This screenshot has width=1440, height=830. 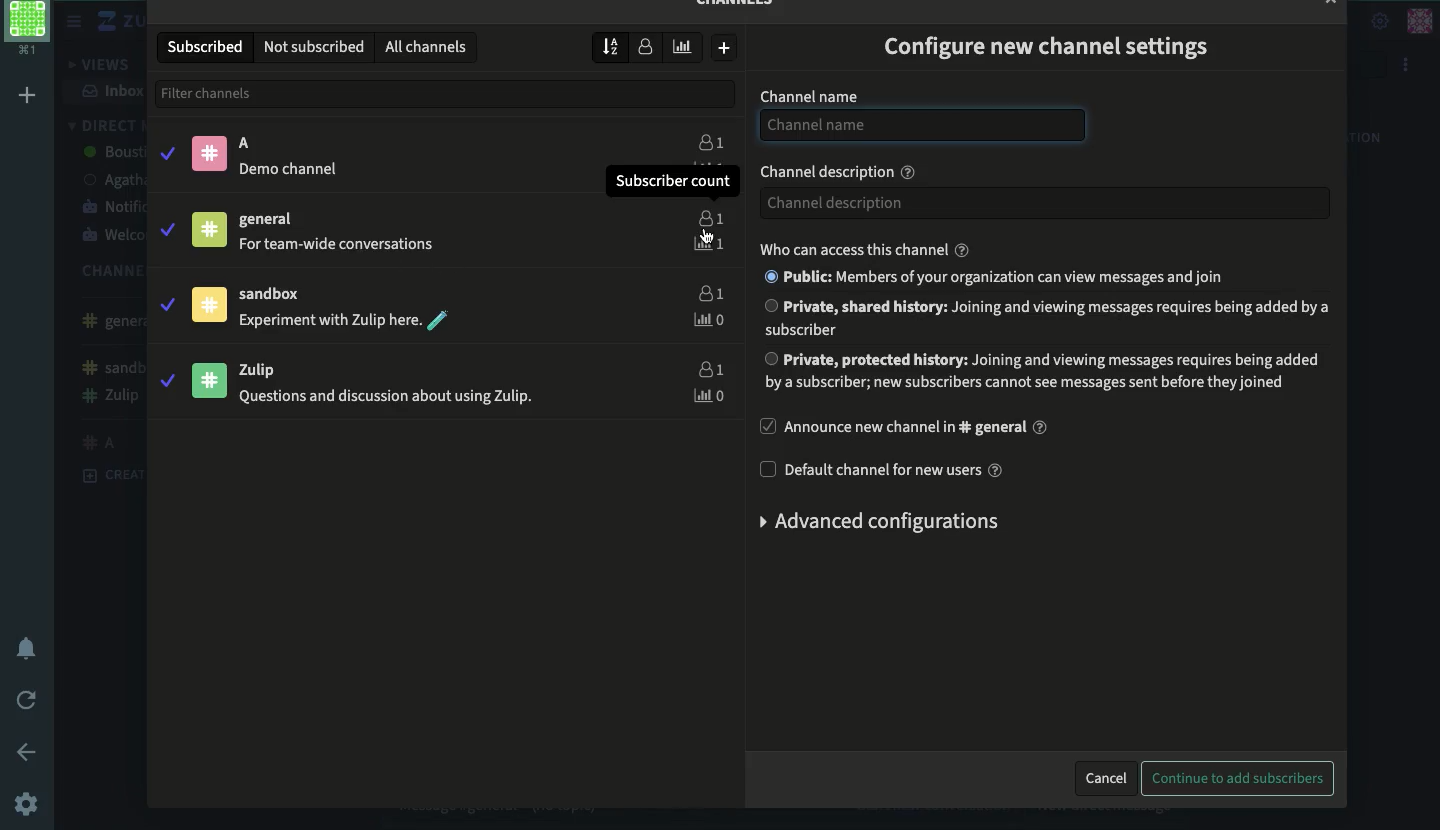 What do you see at coordinates (1051, 374) in the screenshot?
I see ` Private, protected history: Joining and viewing messages requires being addedbya subscriber; new subscribers cannot see messages sent before they joined` at bounding box center [1051, 374].